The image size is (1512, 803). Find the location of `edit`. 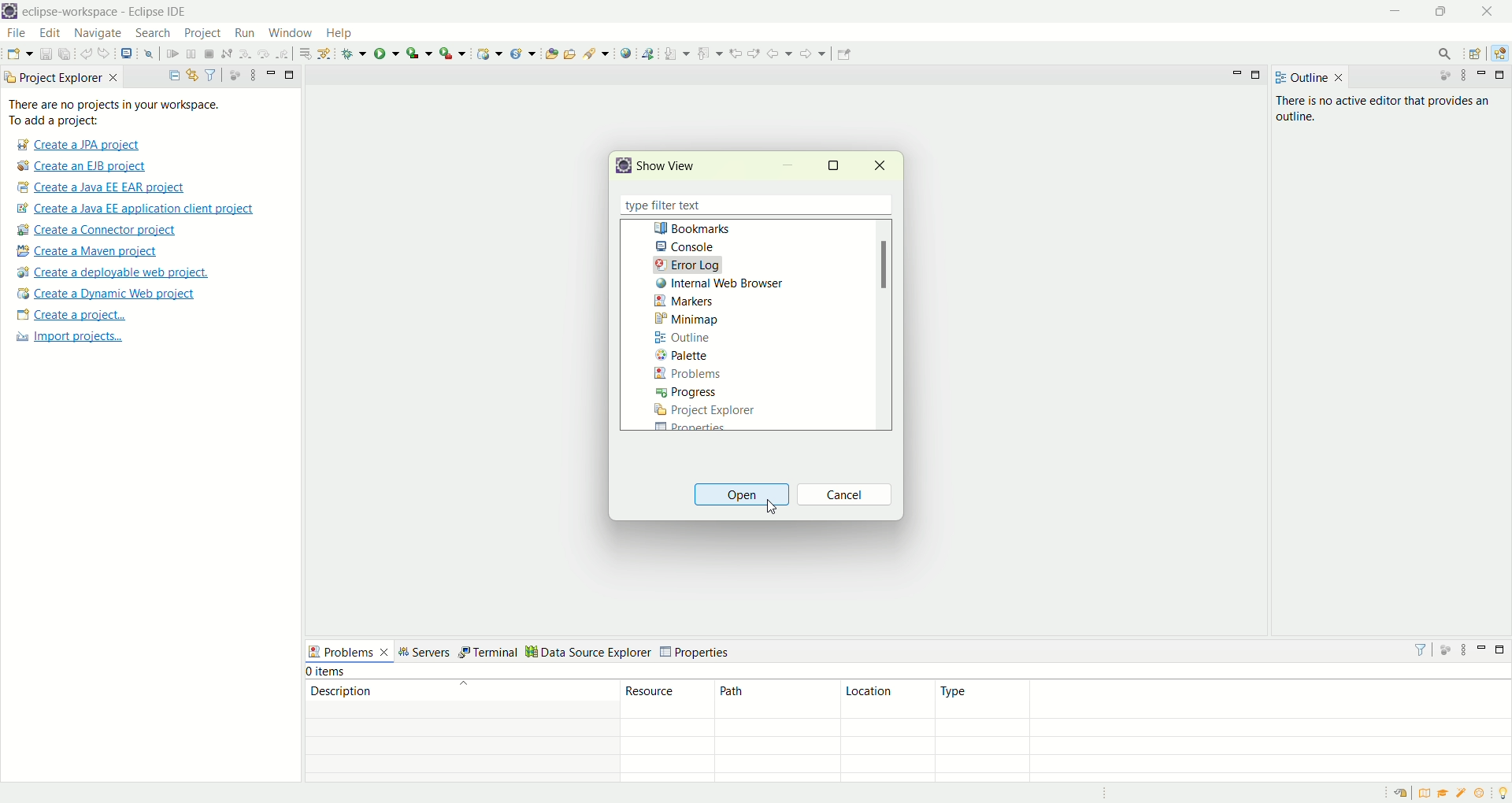

edit is located at coordinates (52, 32).